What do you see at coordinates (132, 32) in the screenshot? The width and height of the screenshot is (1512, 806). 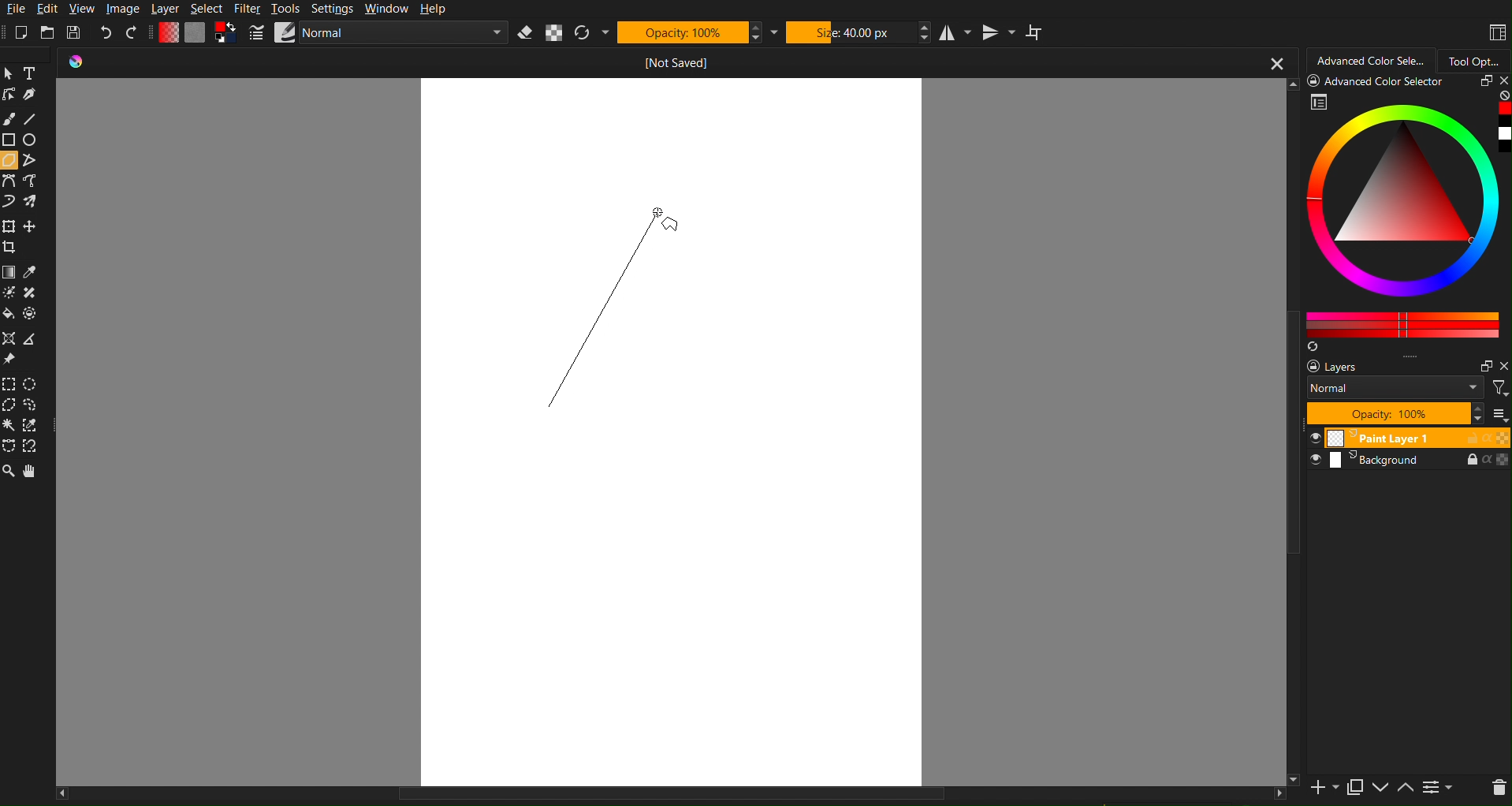 I see `Redo` at bounding box center [132, 32].